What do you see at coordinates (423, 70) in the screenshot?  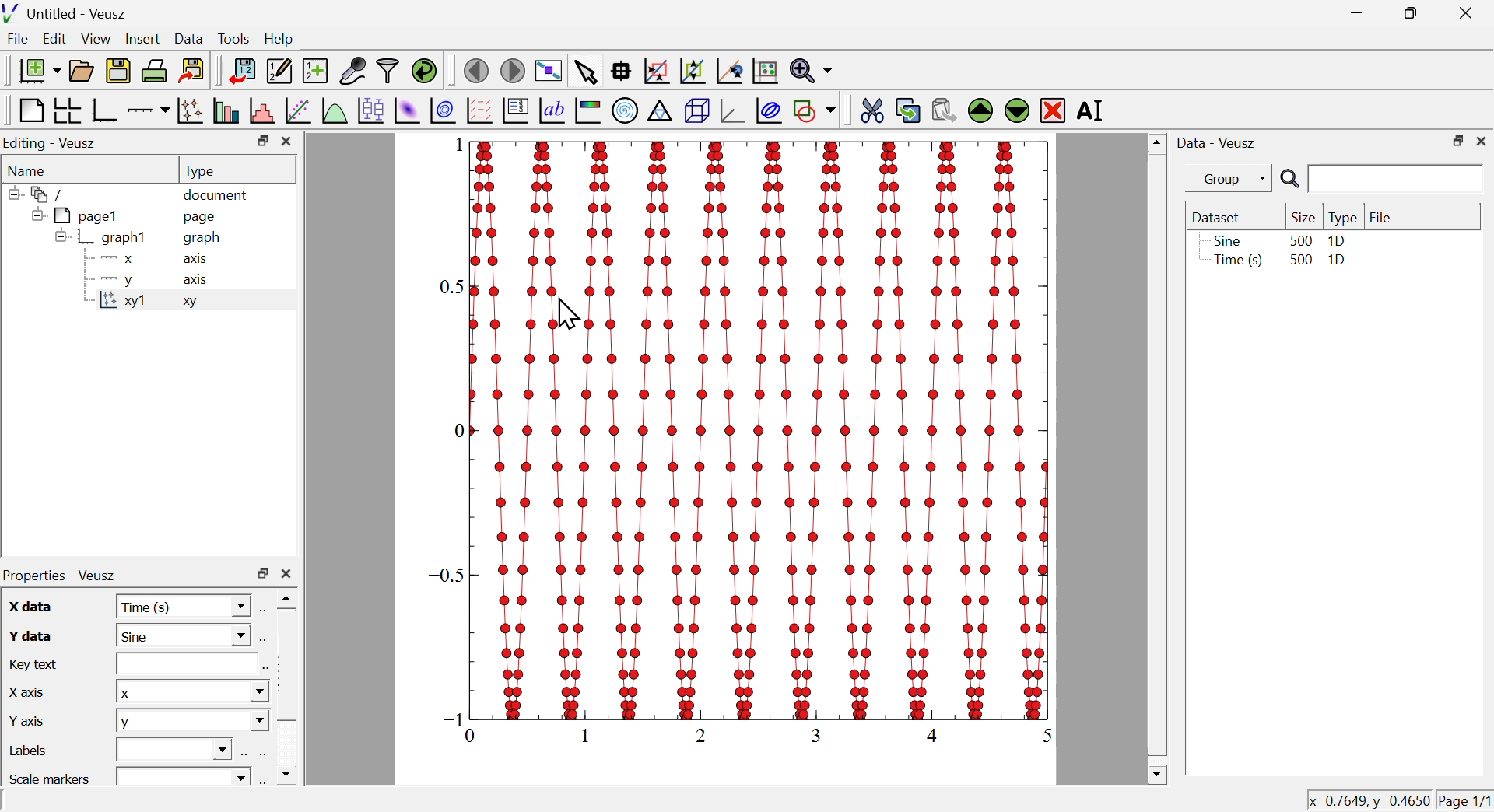 I see `reload linked datasets` at bounding box center [423, 70].